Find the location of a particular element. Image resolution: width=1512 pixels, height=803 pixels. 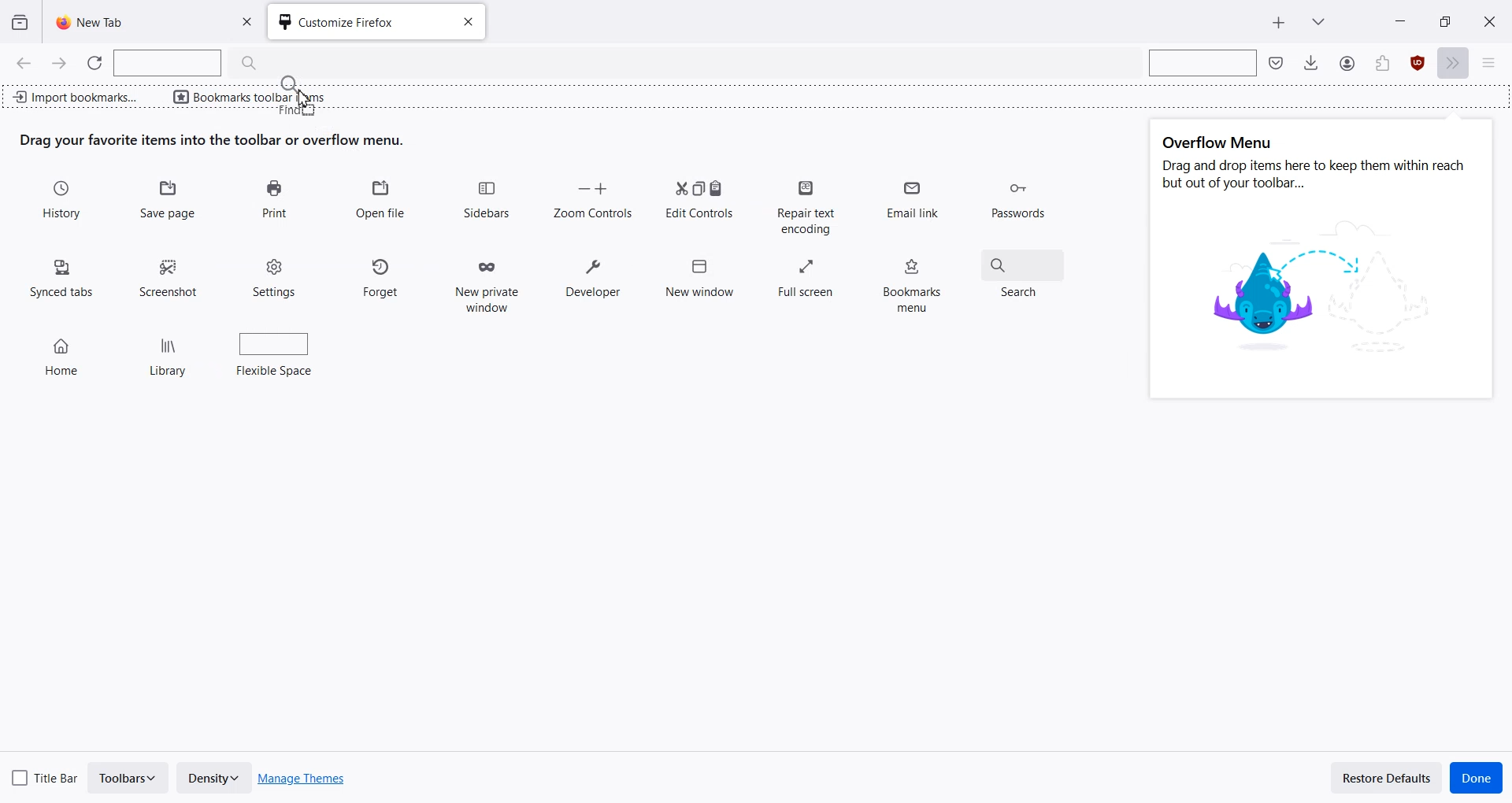

Home is located at coordinates (65, 350).